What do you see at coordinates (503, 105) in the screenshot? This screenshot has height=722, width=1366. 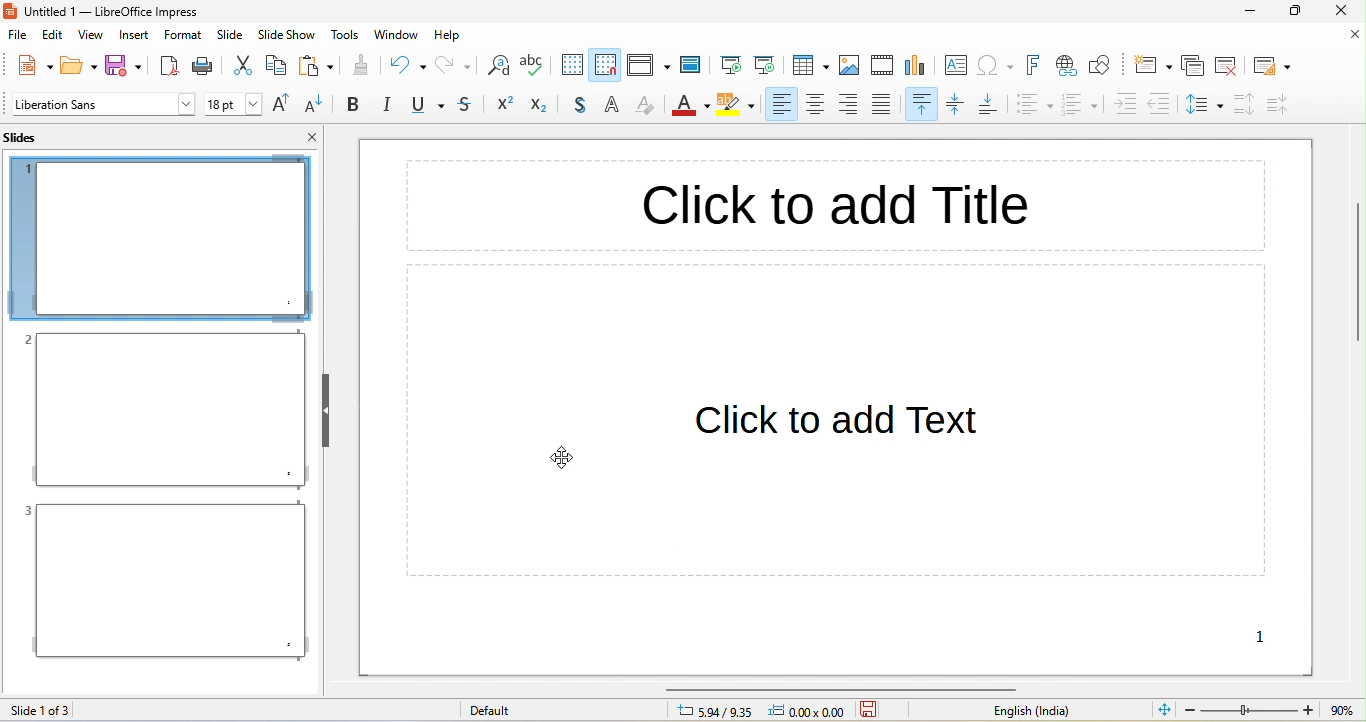 I see `superscript` at bounding box center [503, 105].